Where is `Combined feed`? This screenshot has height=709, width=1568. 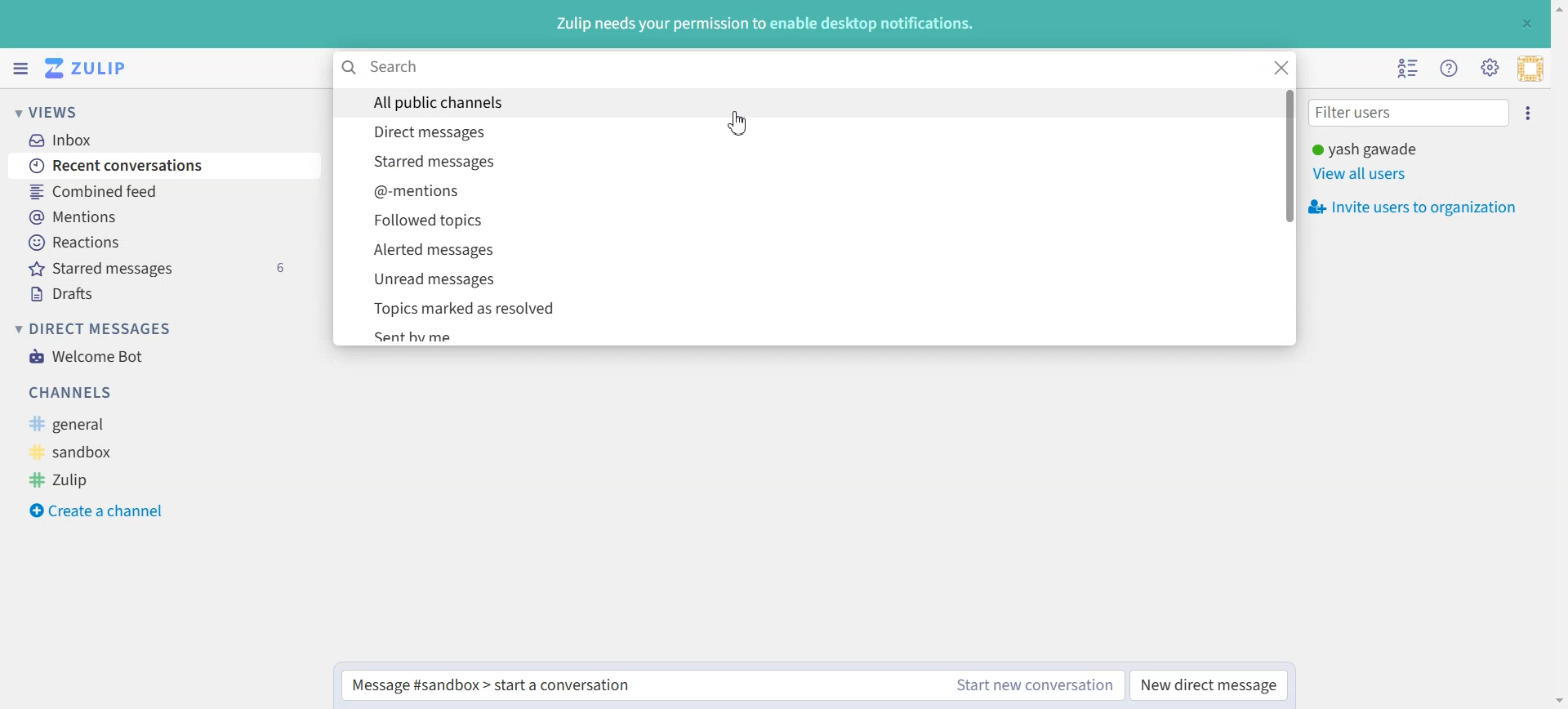
Combined feed is located at coordinates (162, 192).